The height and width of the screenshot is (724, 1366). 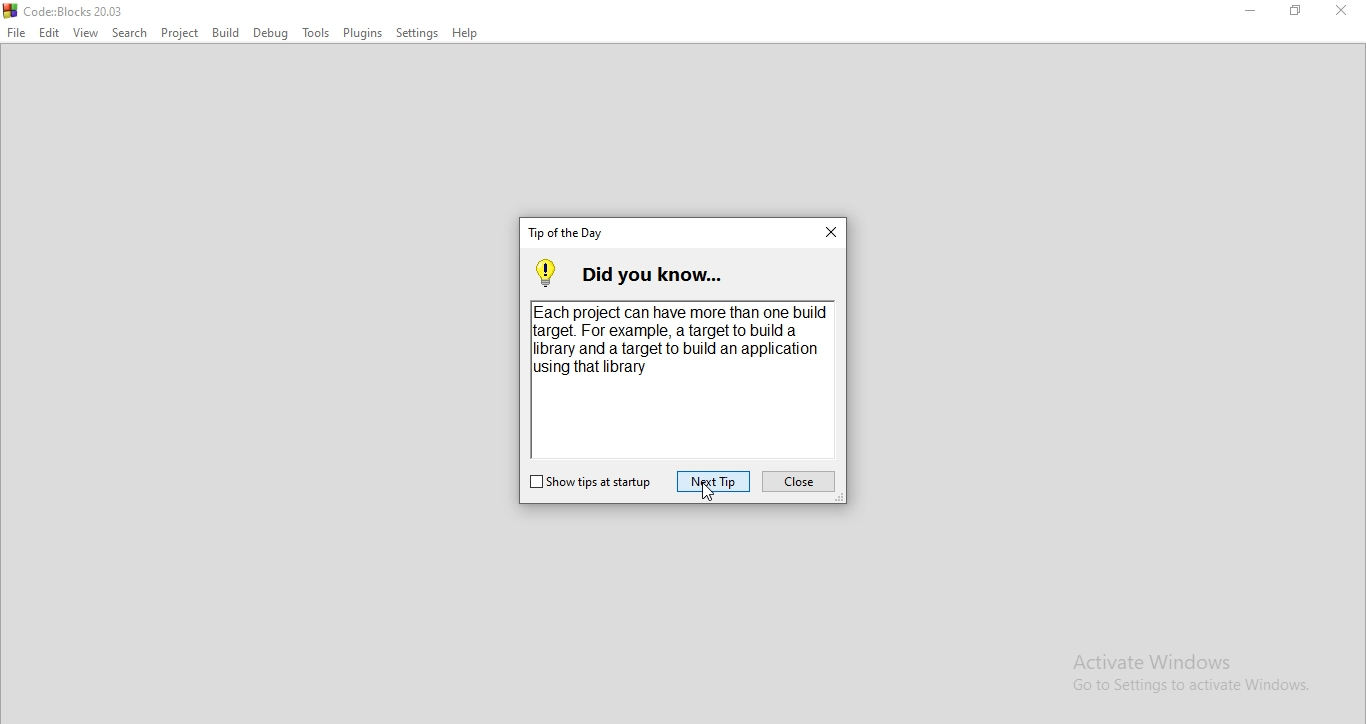 I want to click on Help, so click(x=463, y=34).